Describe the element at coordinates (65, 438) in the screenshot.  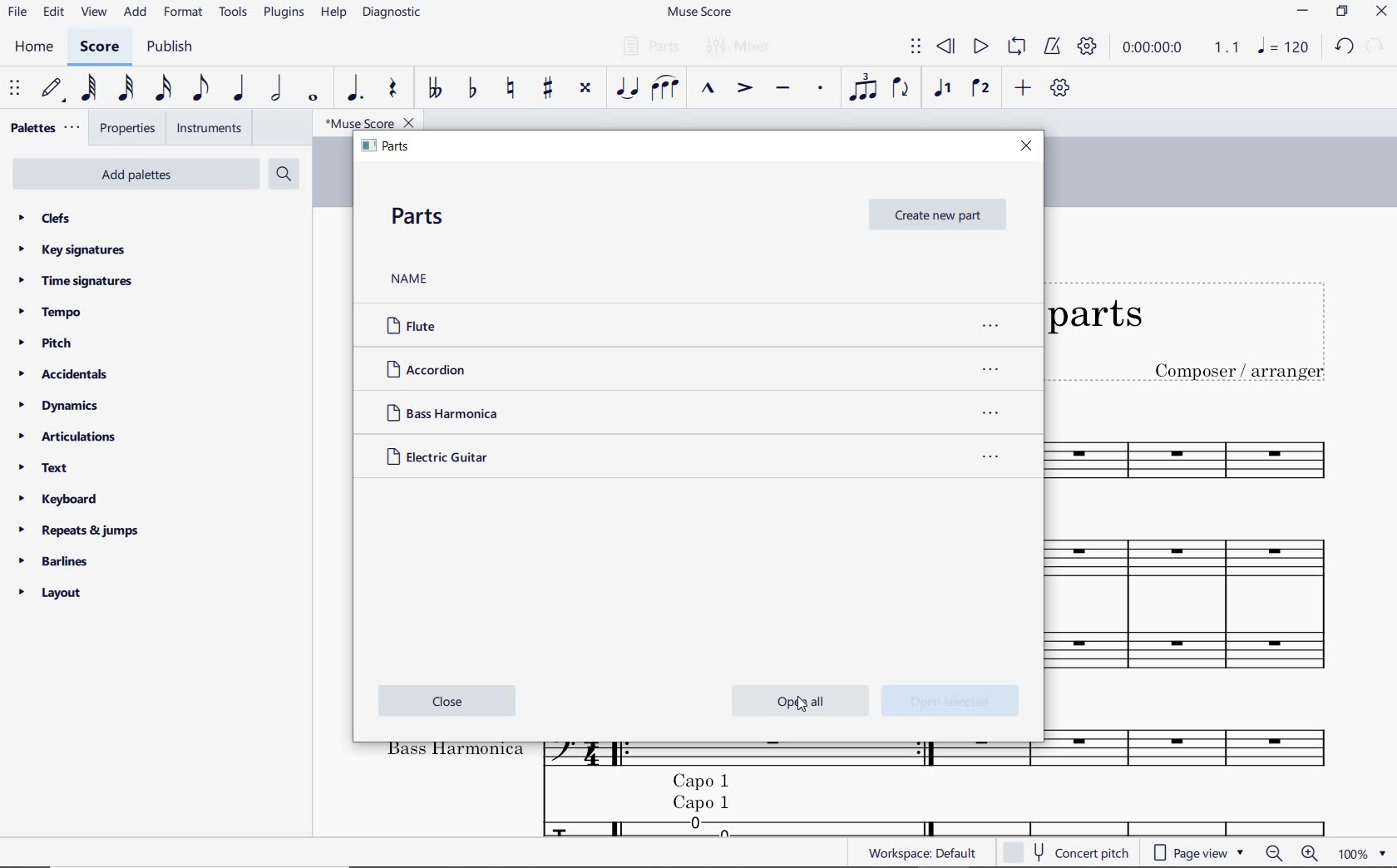
I see `articulations` at that location.